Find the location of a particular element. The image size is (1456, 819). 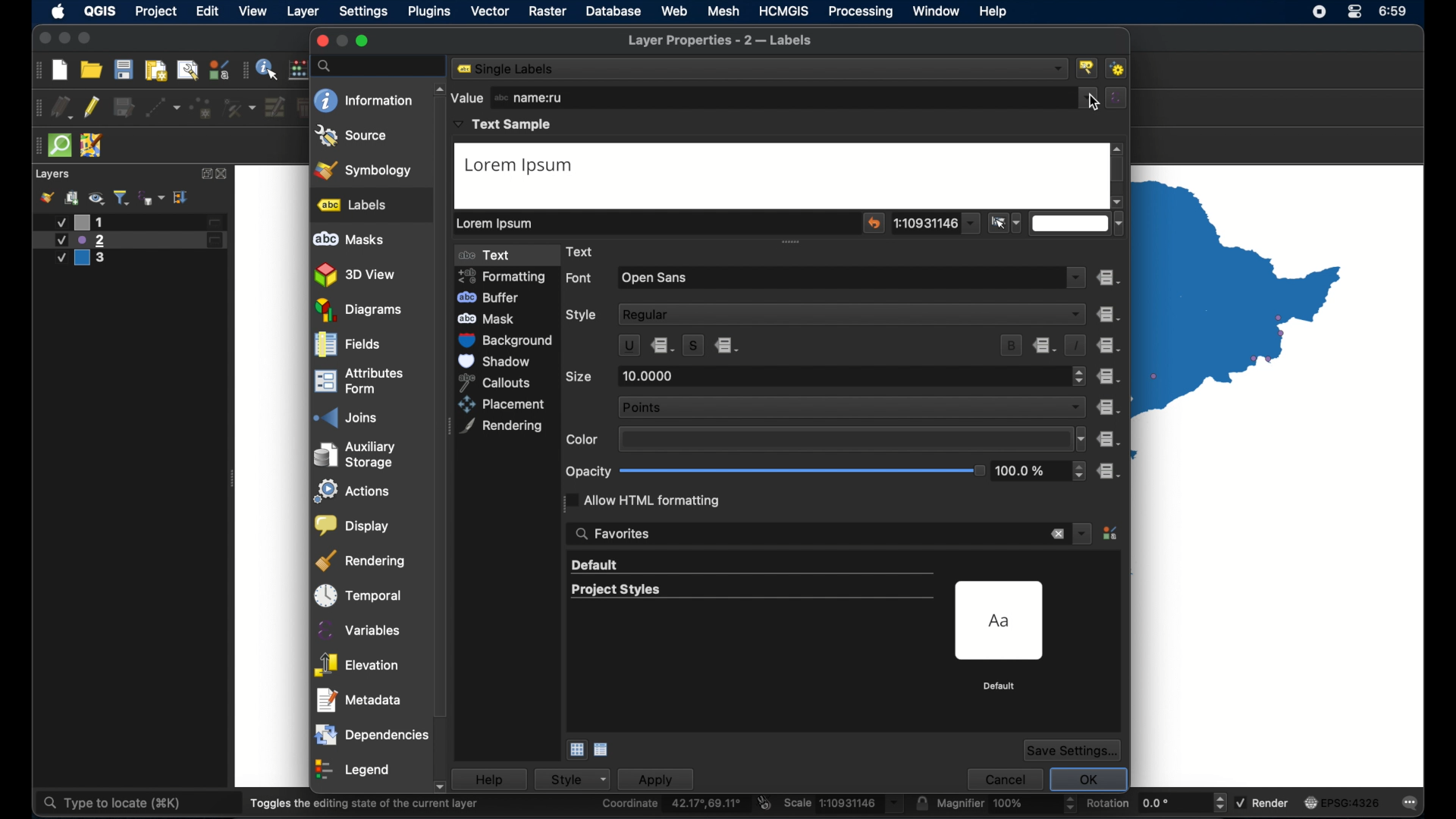

close is located at coordinates (42, 39).